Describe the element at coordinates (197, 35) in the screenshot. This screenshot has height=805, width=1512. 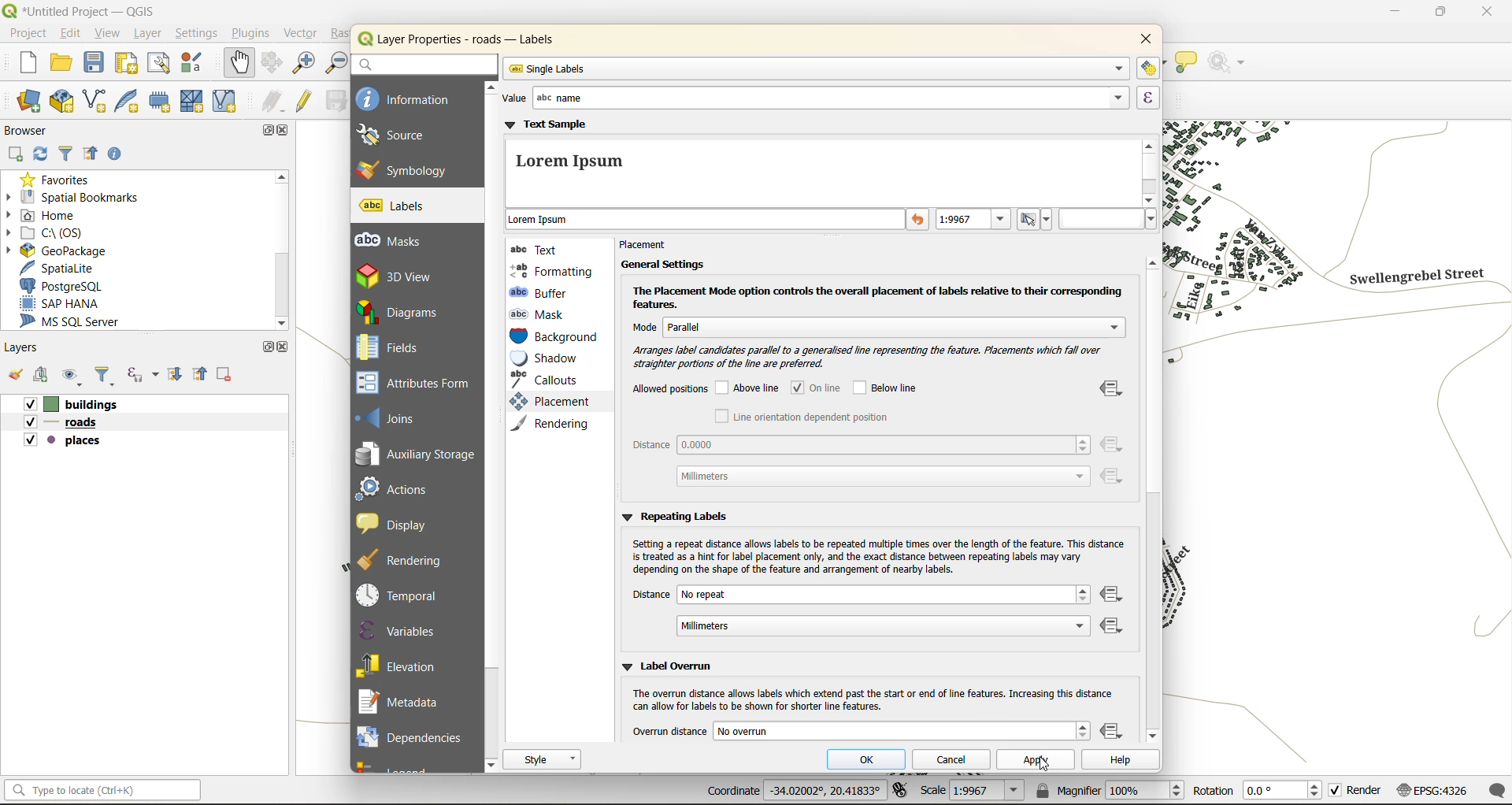
I see `settings` at that location.